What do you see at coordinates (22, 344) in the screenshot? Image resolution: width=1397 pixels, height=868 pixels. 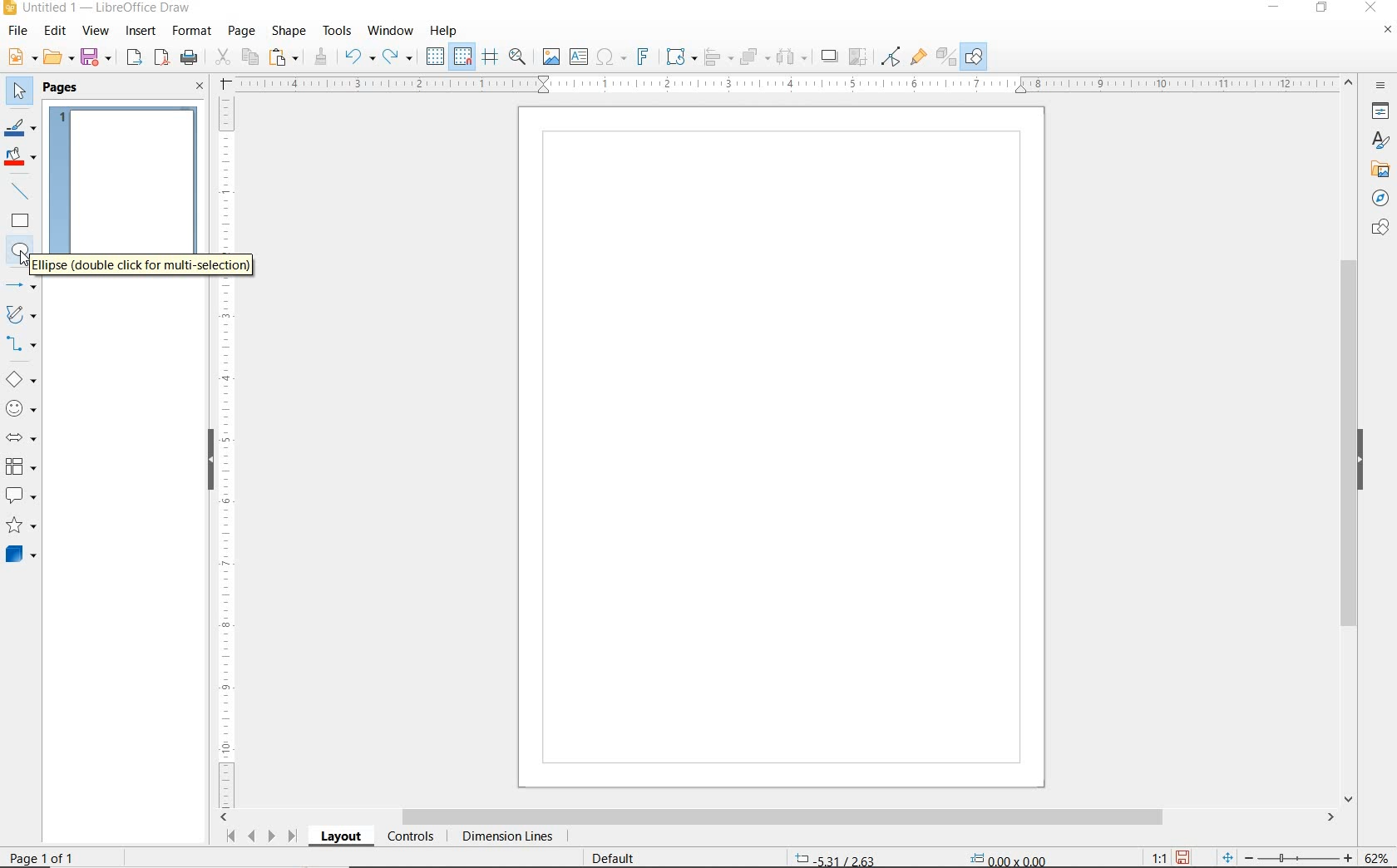 I see `CONNECTORS` at bounding box center [22, 344].